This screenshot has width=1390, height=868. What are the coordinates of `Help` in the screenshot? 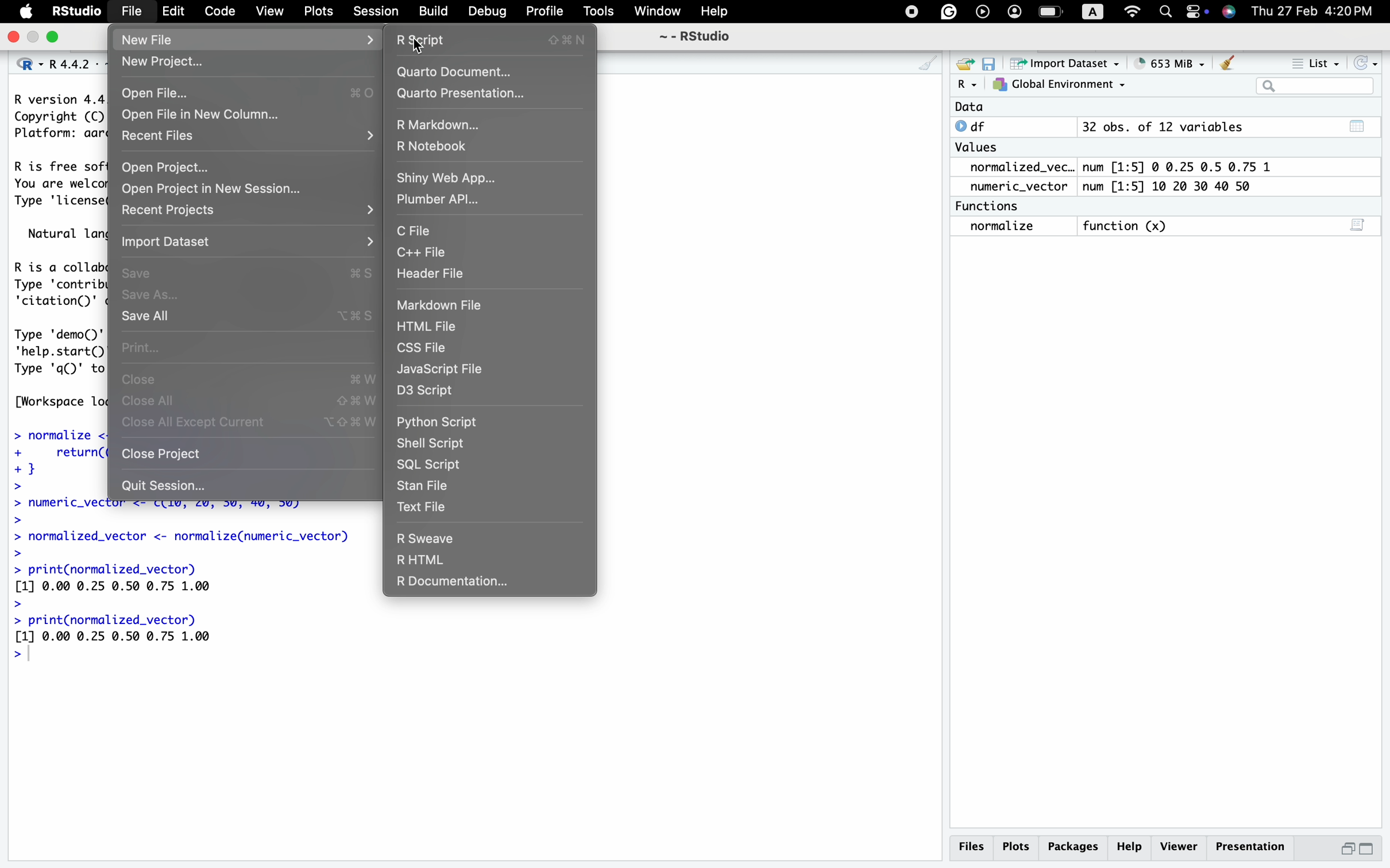 It's located at (1132, 846).